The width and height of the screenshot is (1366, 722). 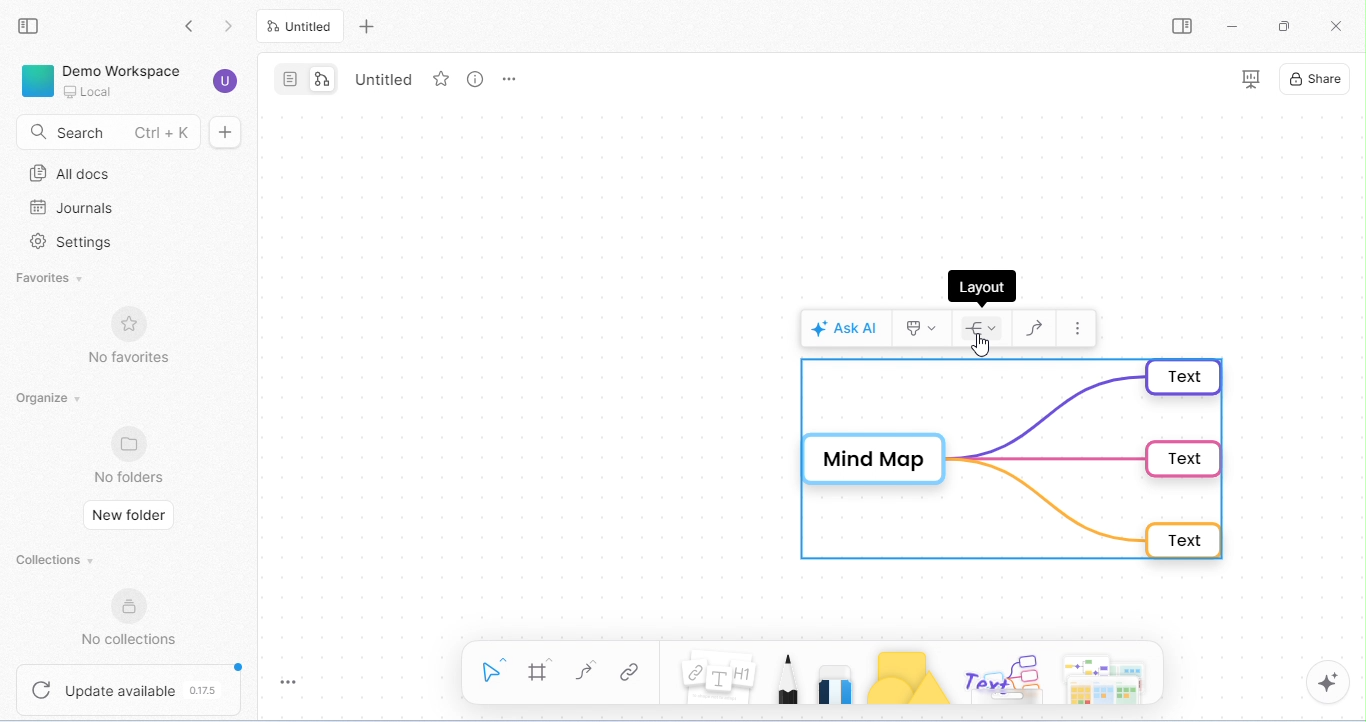 I want to click on no collections, so click(x=130, y=617).